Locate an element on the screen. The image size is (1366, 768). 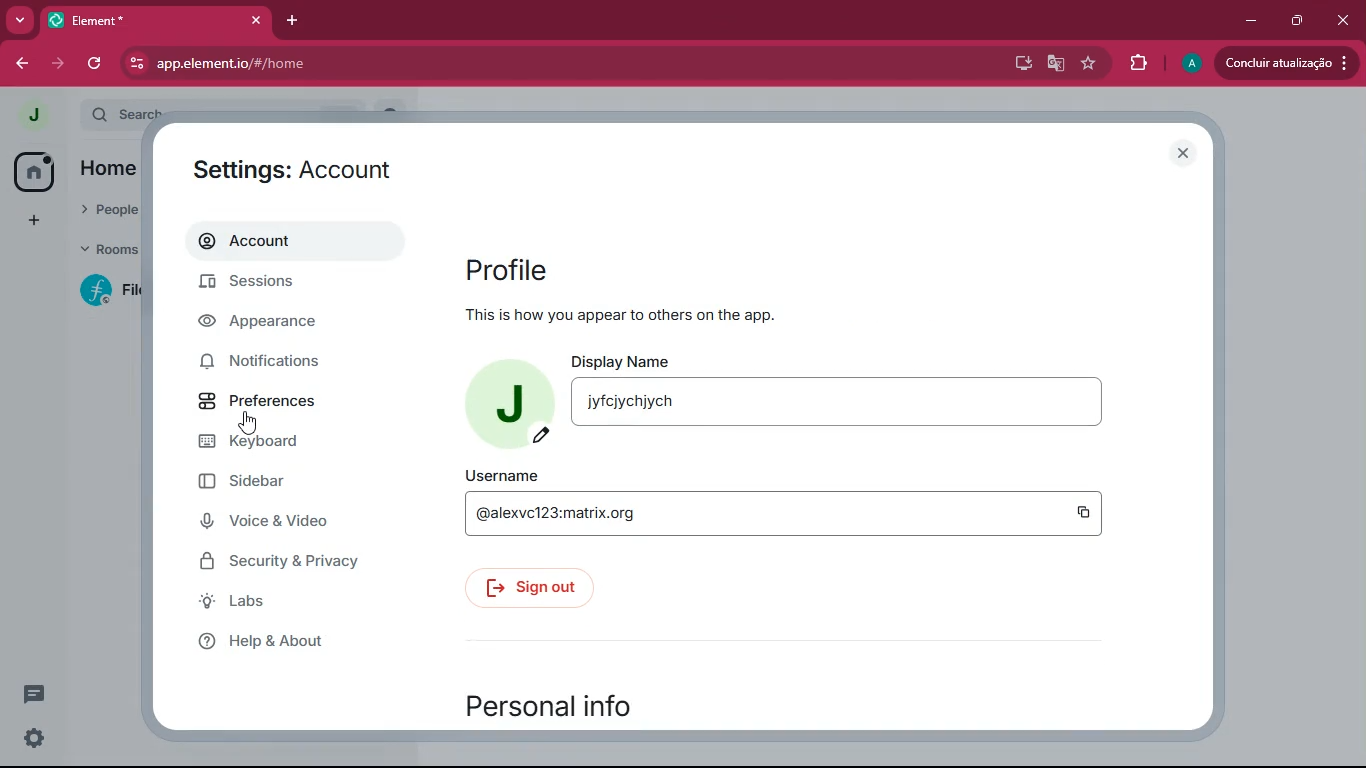
appearance is located at coordinates (279, 324).